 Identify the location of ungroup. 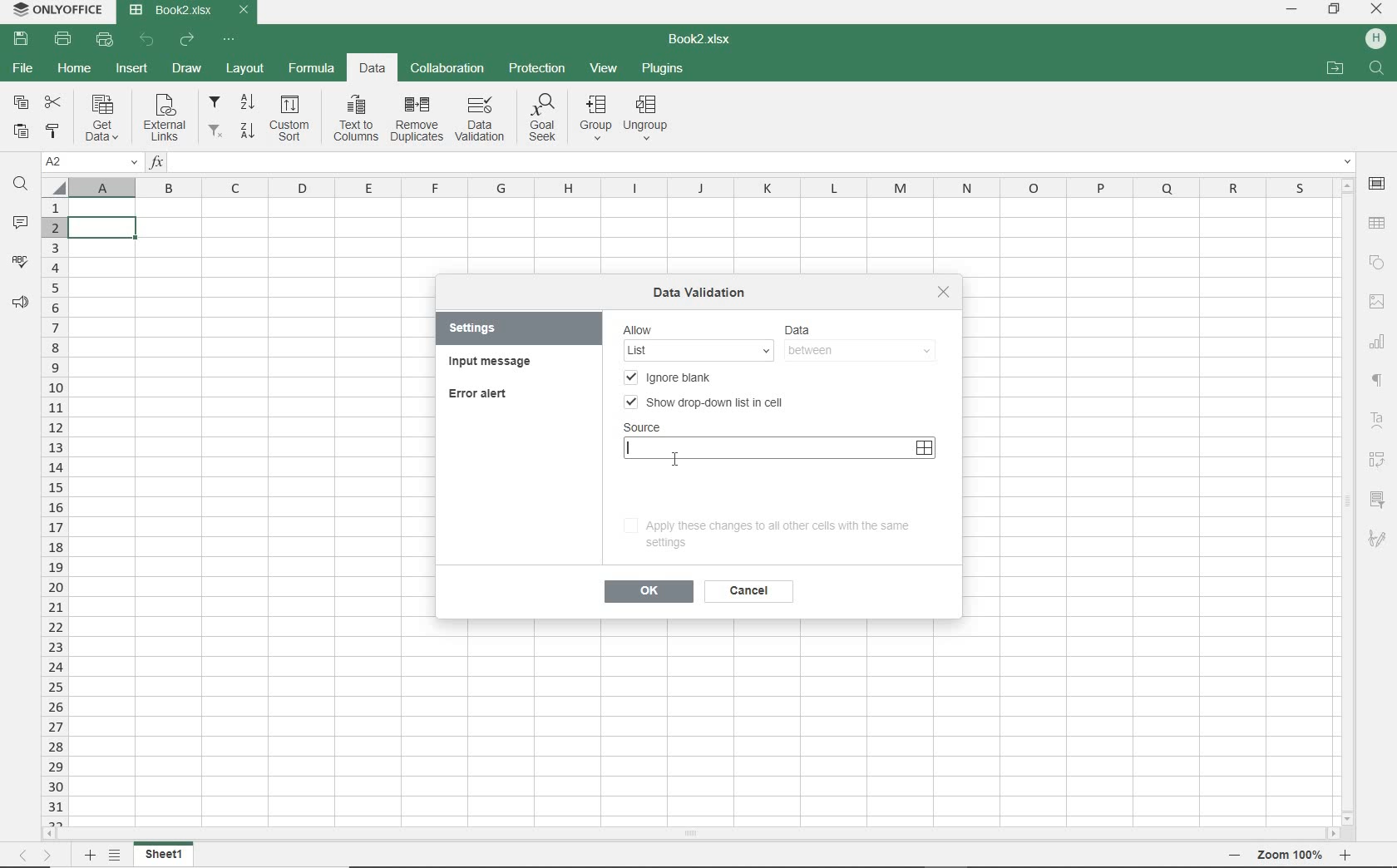
(645, 118).